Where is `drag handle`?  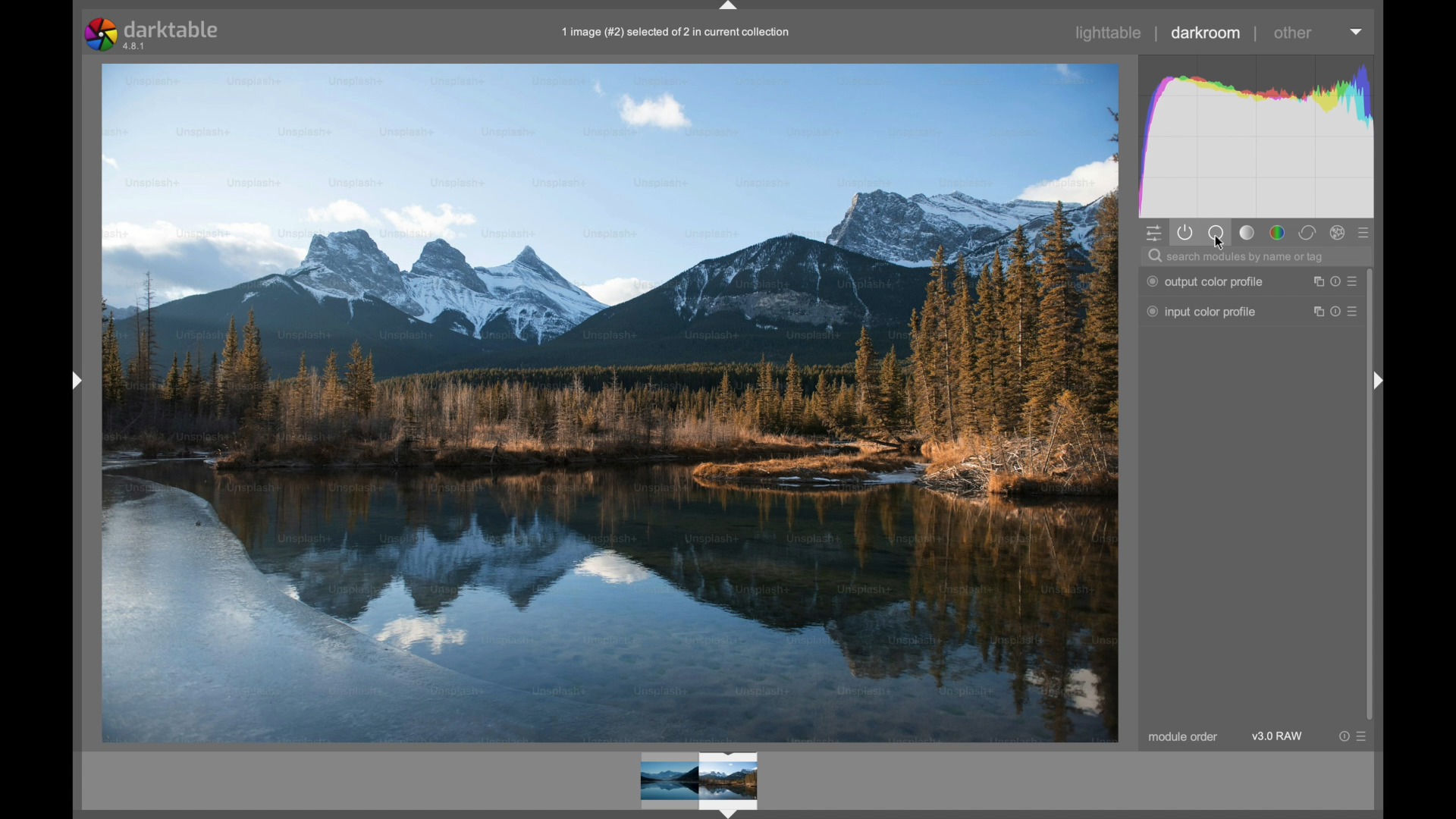 drag handle is located at coordinates (1380, 381).